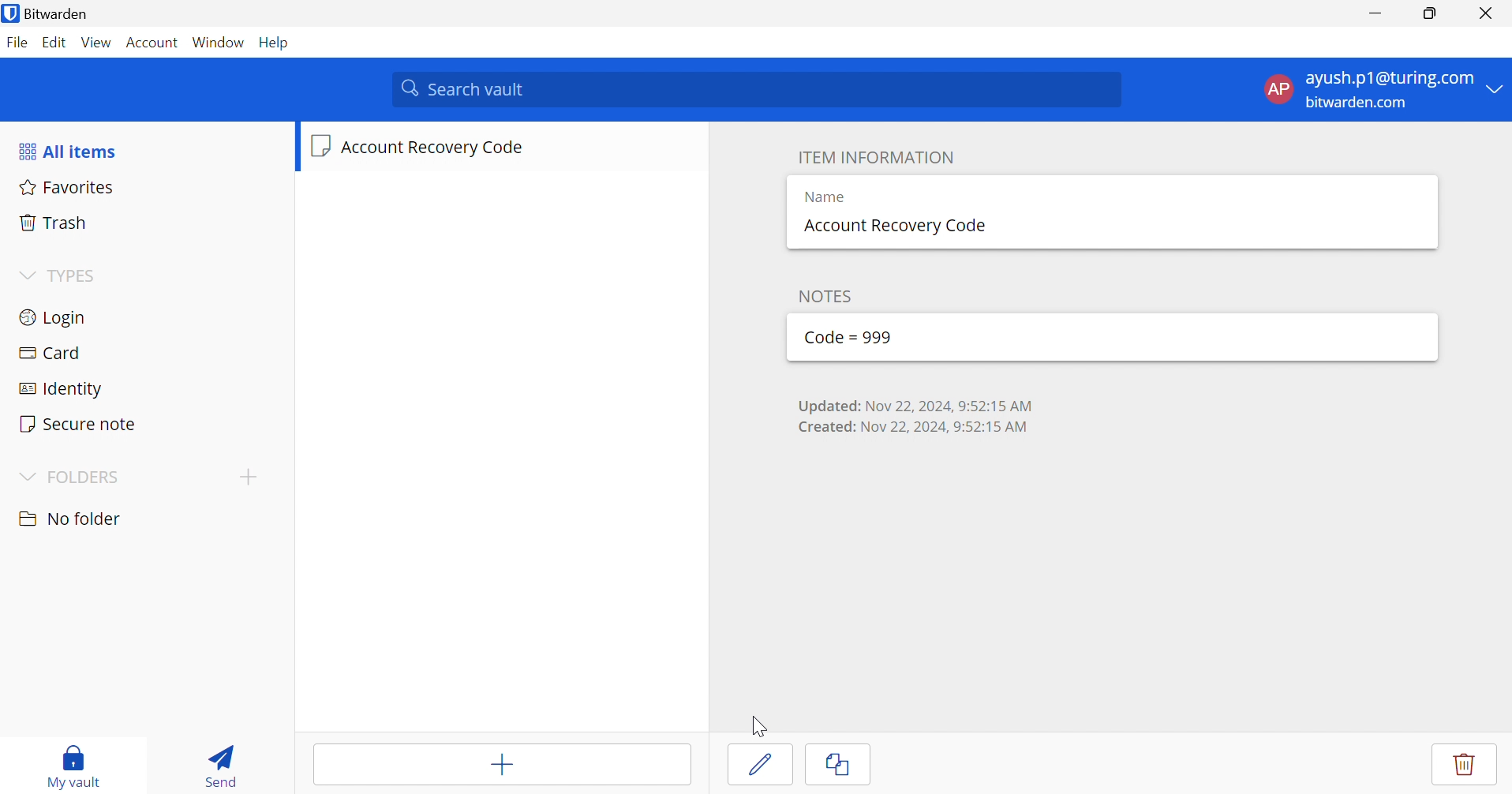  I want to click on Identity, so click(59, 389).